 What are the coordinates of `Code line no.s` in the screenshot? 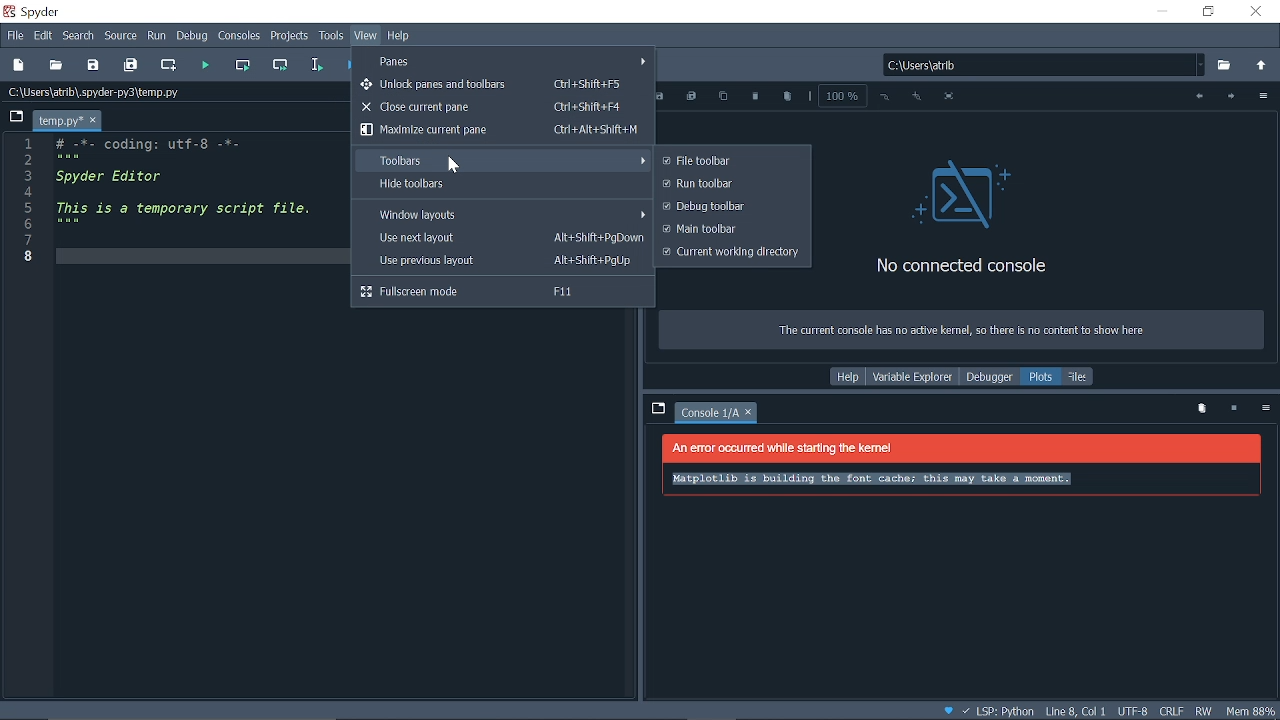 It's located at (32, 199).